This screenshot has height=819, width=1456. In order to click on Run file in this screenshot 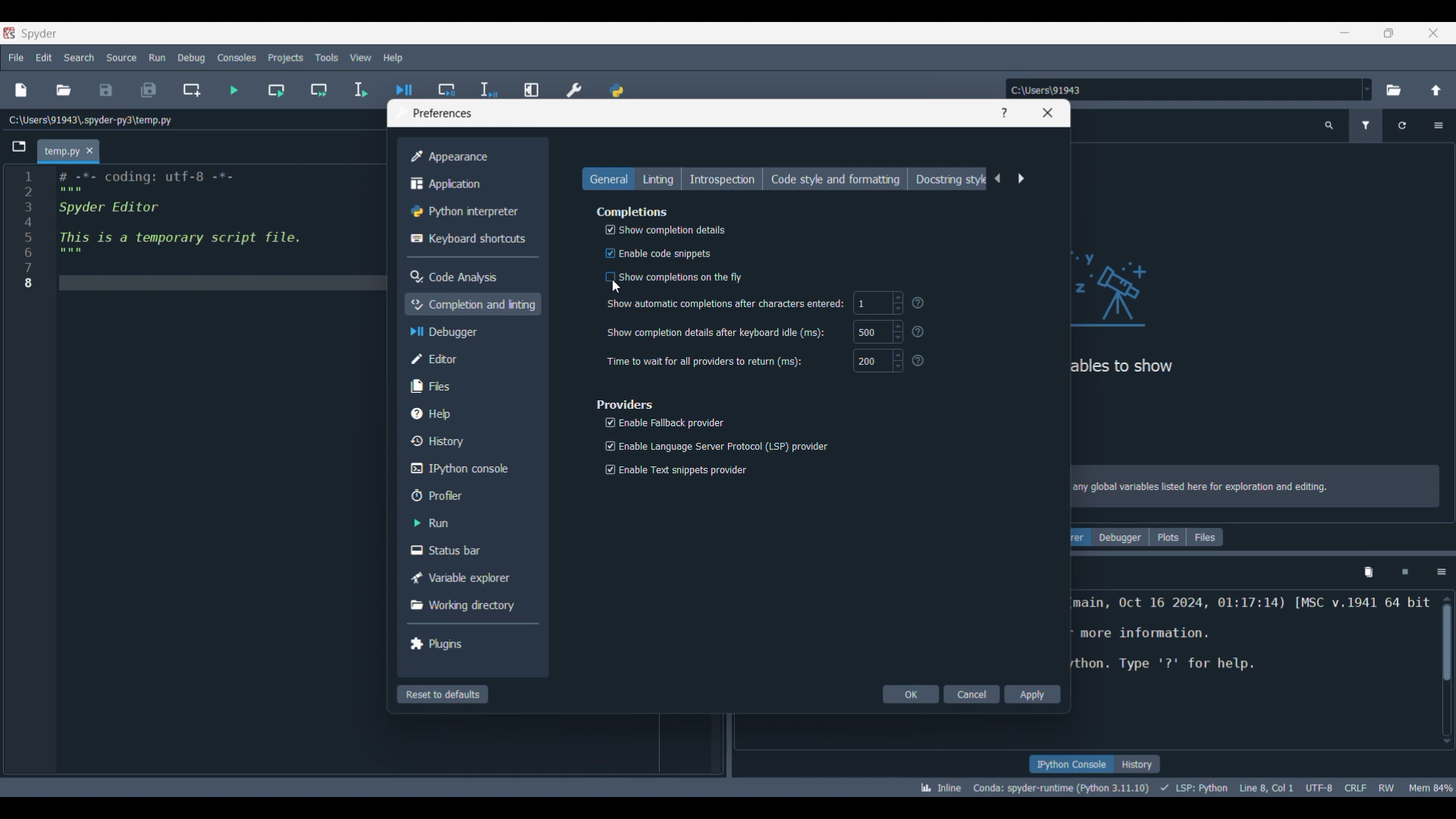, I will do `click(234, 90)`.